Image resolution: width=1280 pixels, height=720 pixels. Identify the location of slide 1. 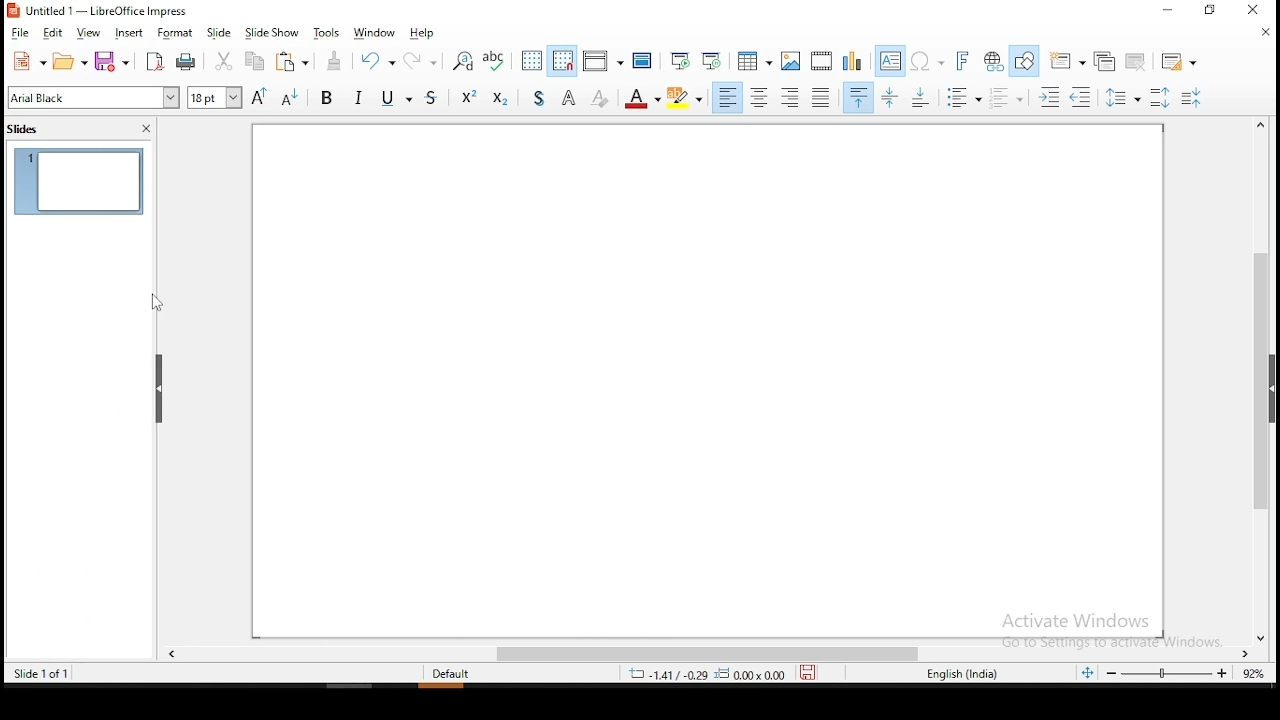
(82, 181).